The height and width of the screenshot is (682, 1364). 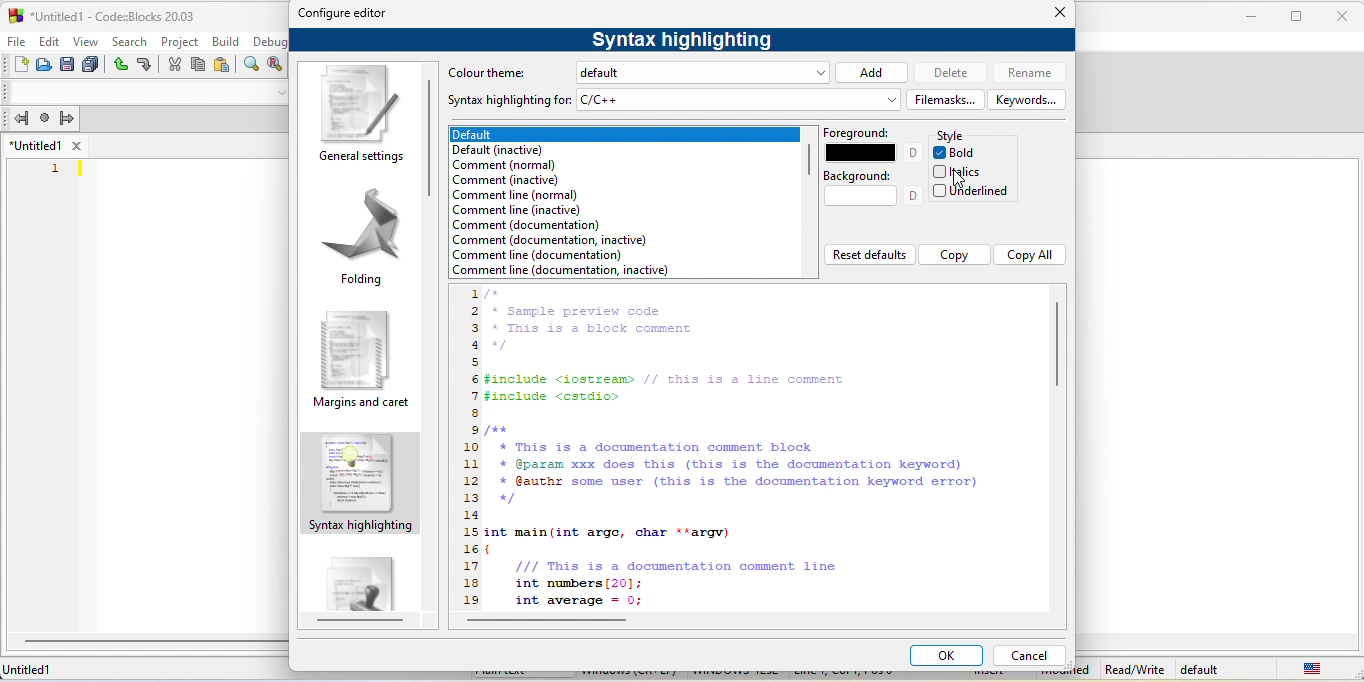 What do you see at coordinates (67, 64) in the screenshot?
I see `save` at bounding box center [67, 64].